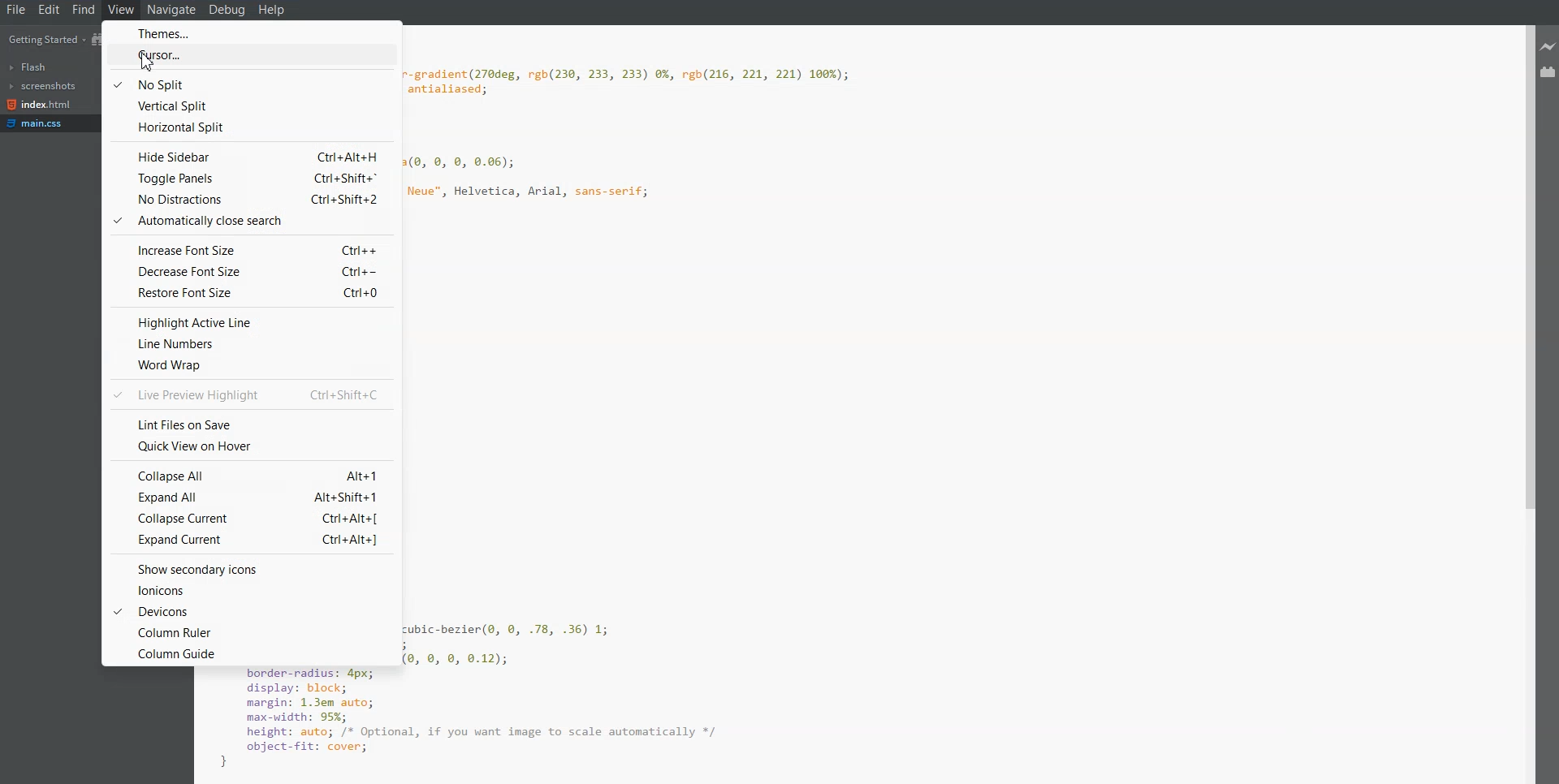  I want to click on Line Number, so click(249, 345).